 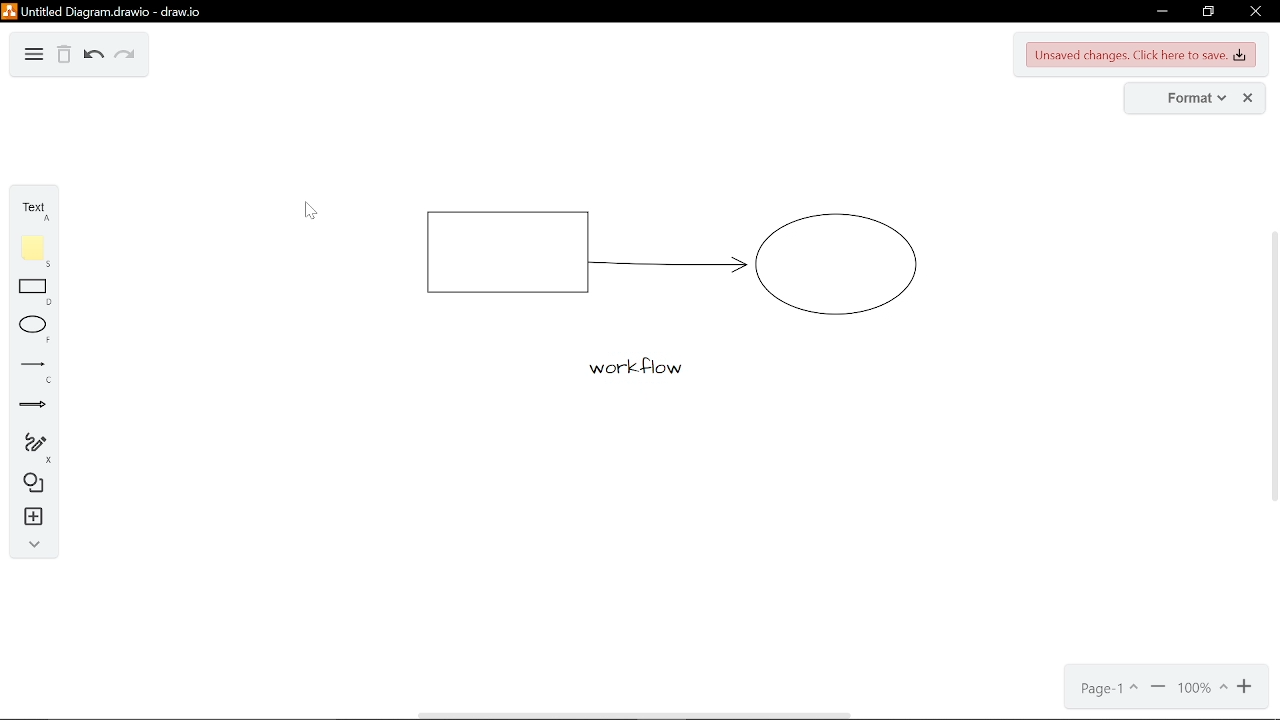 What do you see at coordinates (1180, 98) in the screenshot?
I see `format` at bounding box center [1180, 98].